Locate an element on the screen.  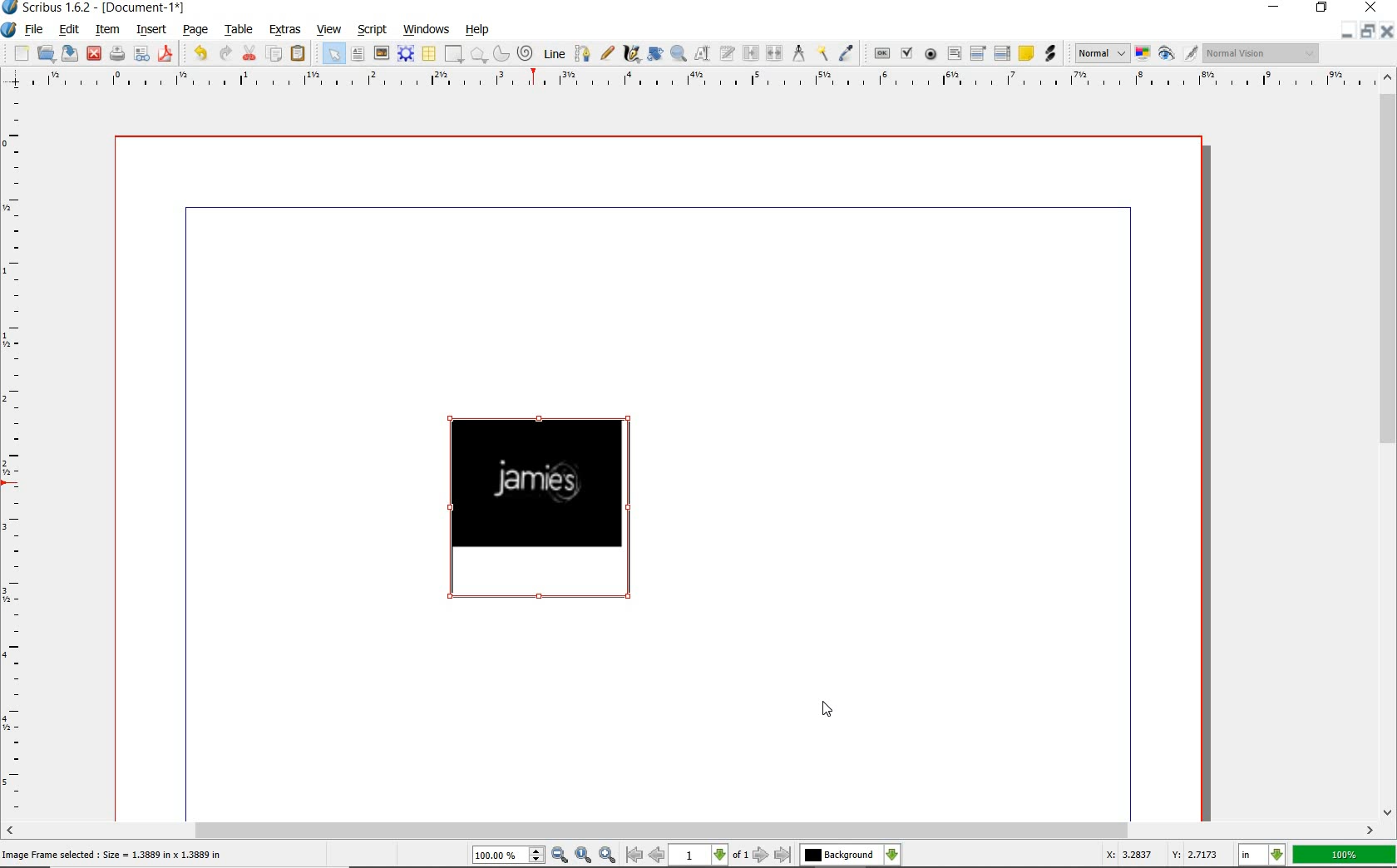
toggle color management is located at coordinates (1143, 53).